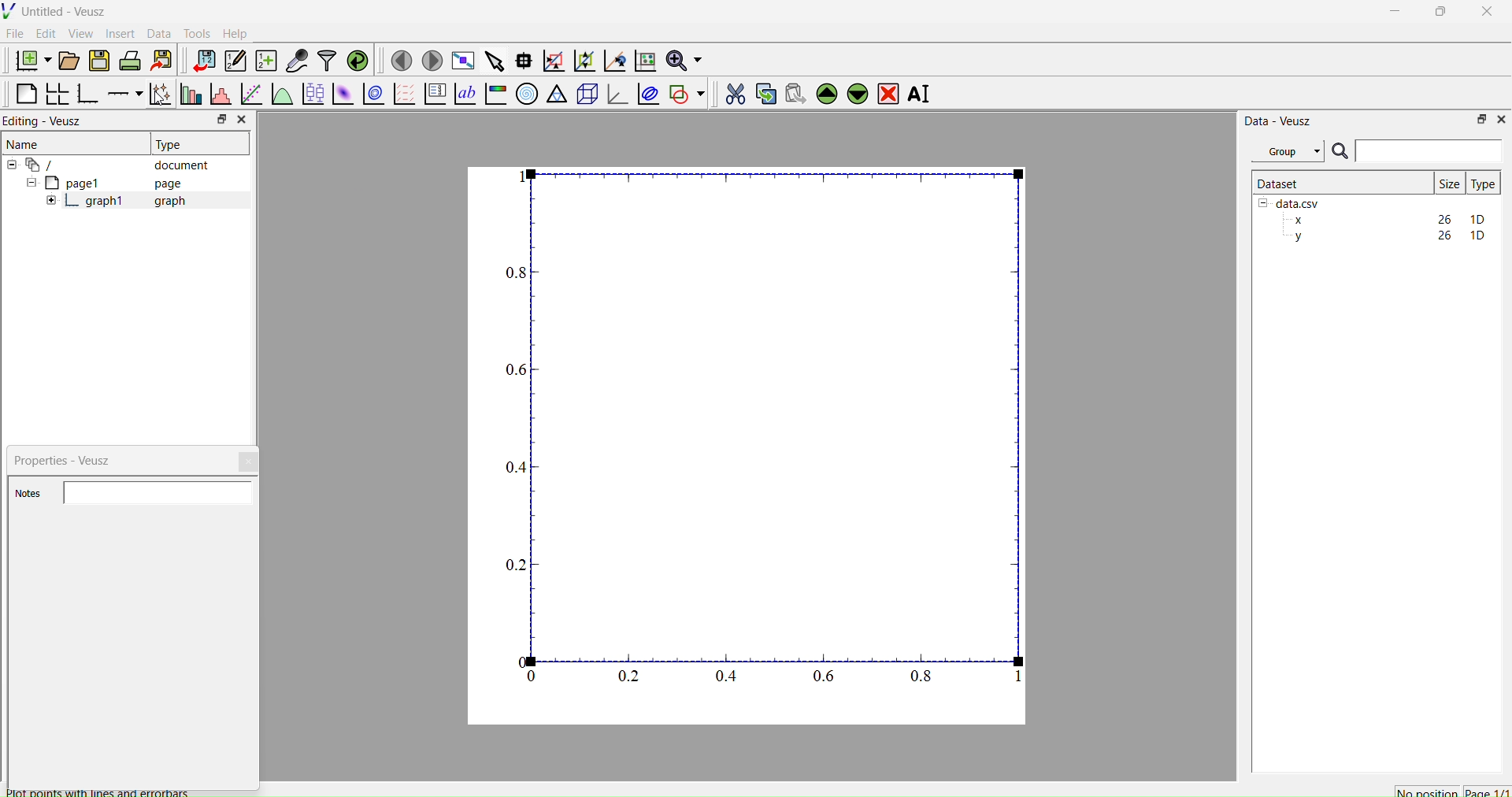 This screenshot has height=797, width=1512. Describe the element at coordinates (217, 96) in the screenshot. I see `Histogram of a dataset` at that location.